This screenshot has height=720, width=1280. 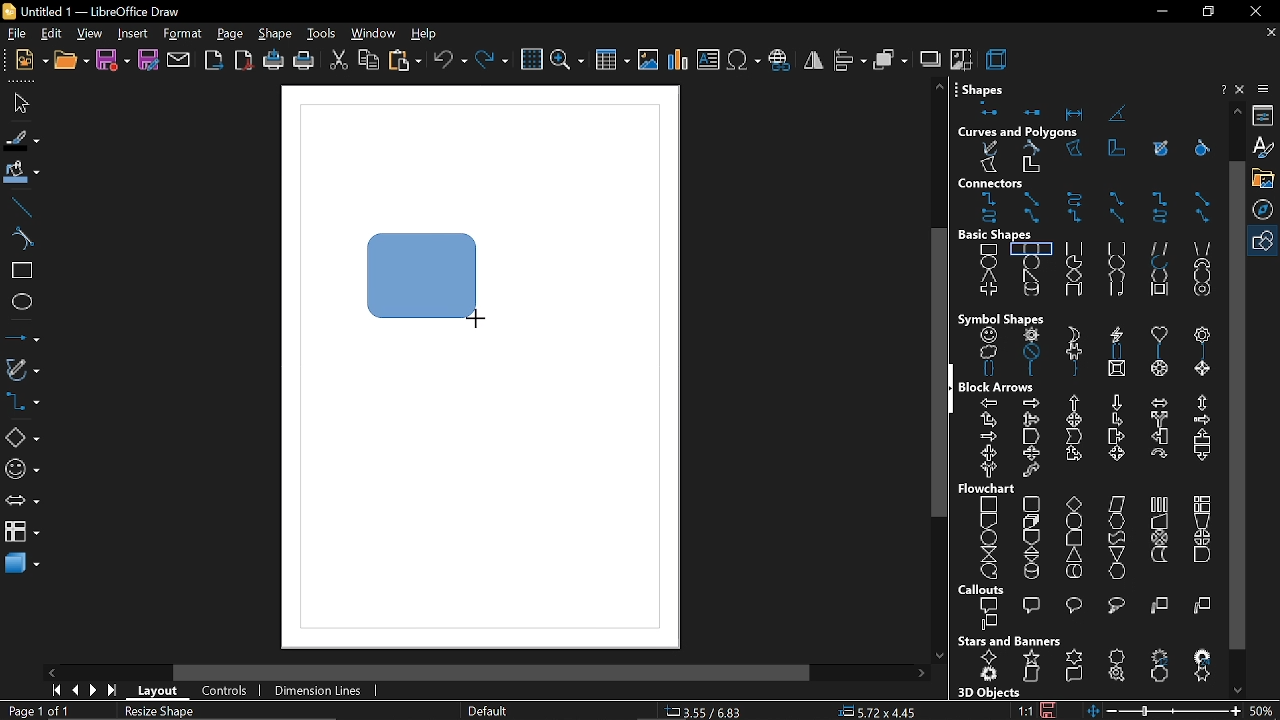 I want to click on symbol shapes, so click(x=22, y=470).